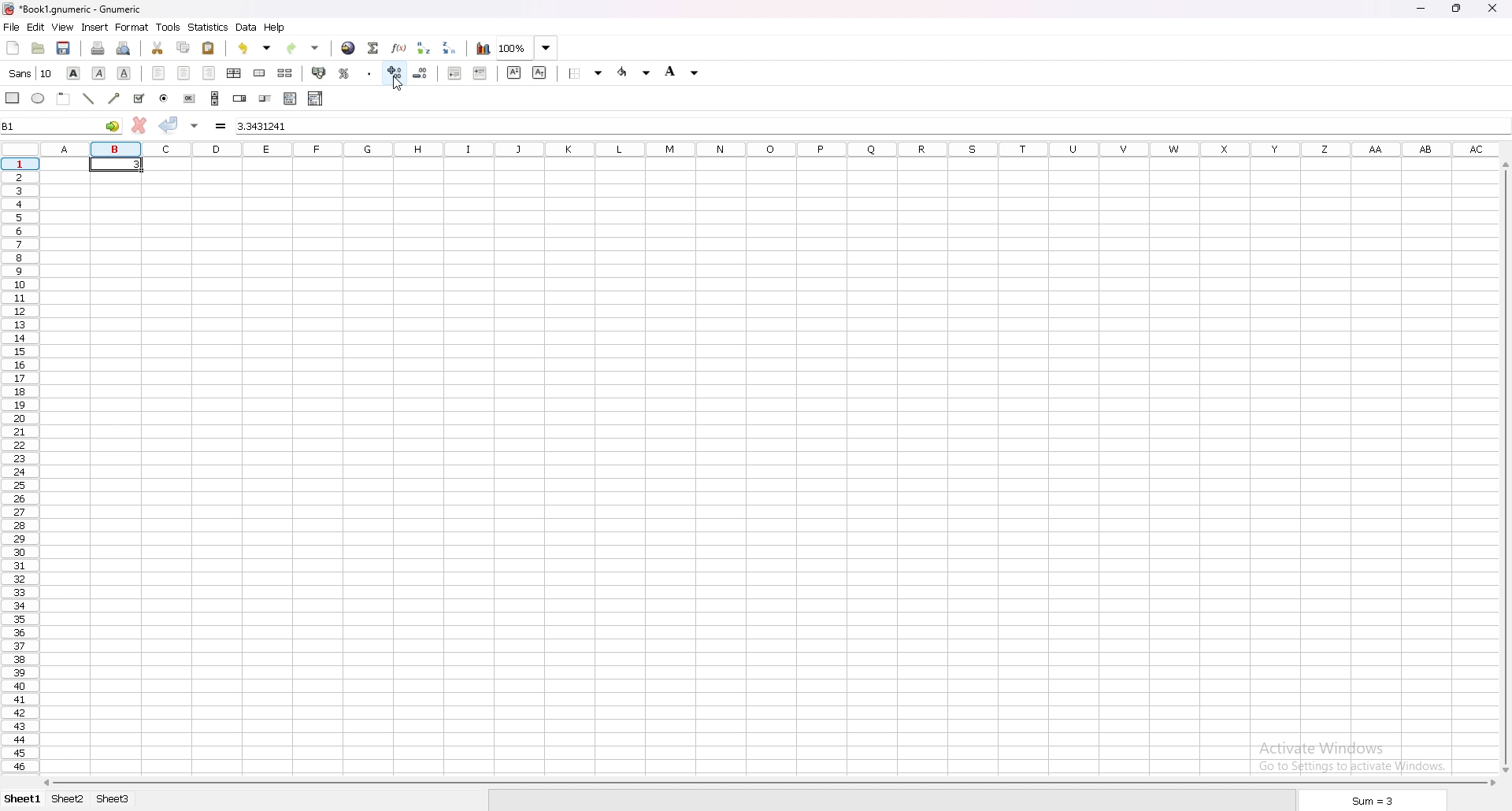  I want to click on 100%, so click(528, 47).